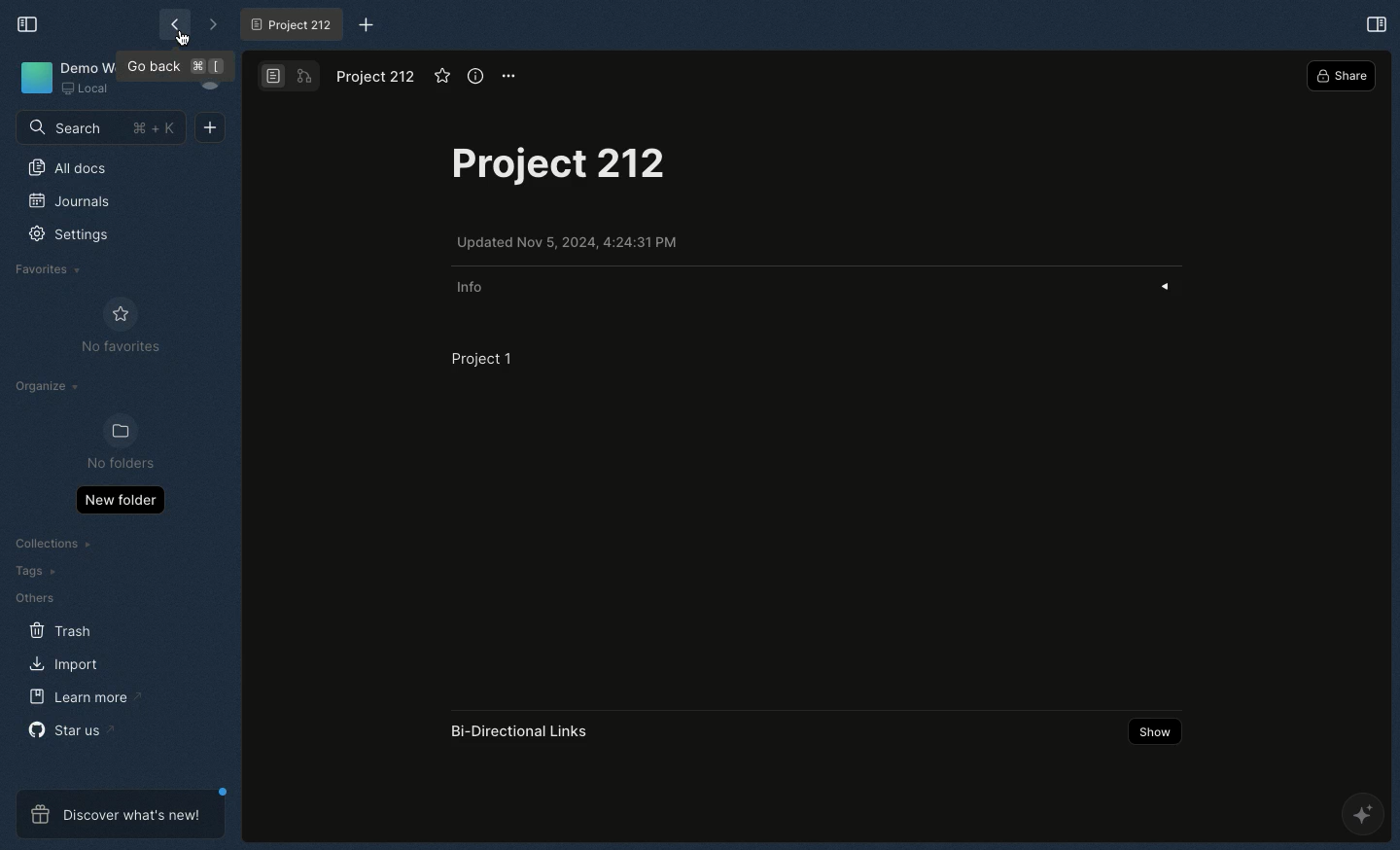 The height and width of the screenshot is (850, 1400). What do you see at coordinates (50, 270) in the screenshot?
I see `Favourites` at bounding box center [50, 270].